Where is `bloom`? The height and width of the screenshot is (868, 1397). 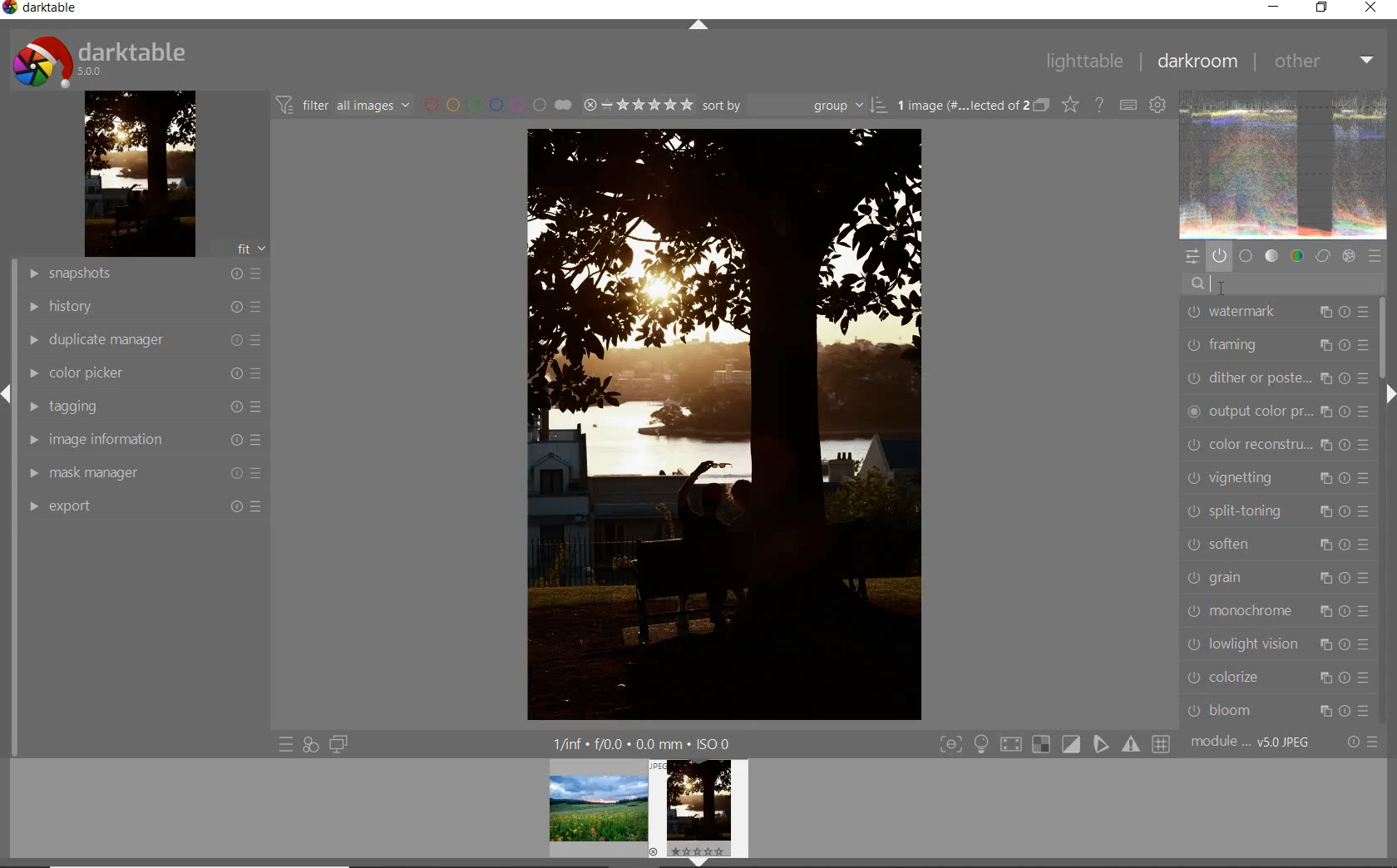
bloom is located at coordinates (1281, 709).